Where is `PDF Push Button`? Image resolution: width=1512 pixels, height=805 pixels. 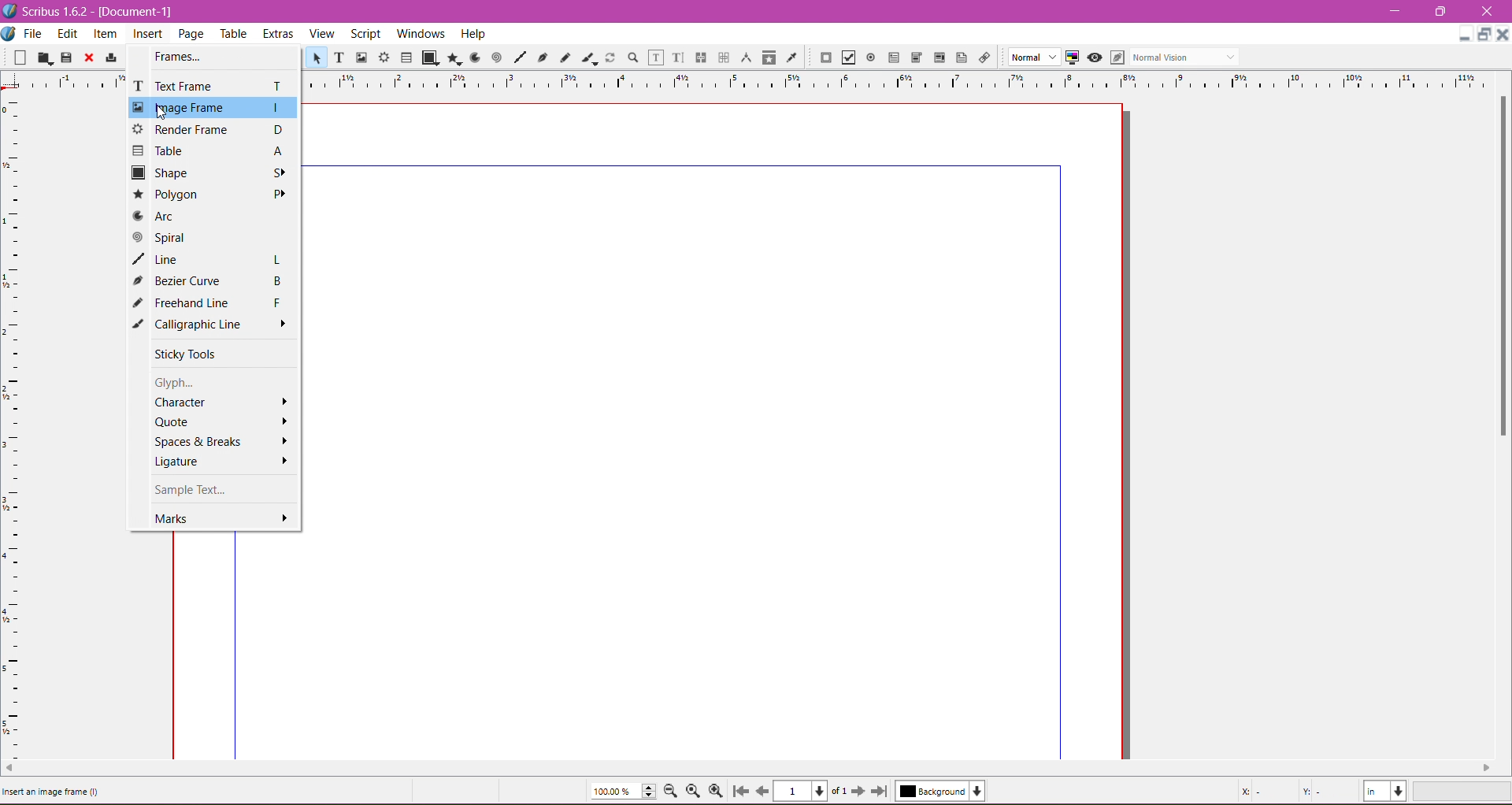
PDF Push Button is located at coordinates (825, 57).